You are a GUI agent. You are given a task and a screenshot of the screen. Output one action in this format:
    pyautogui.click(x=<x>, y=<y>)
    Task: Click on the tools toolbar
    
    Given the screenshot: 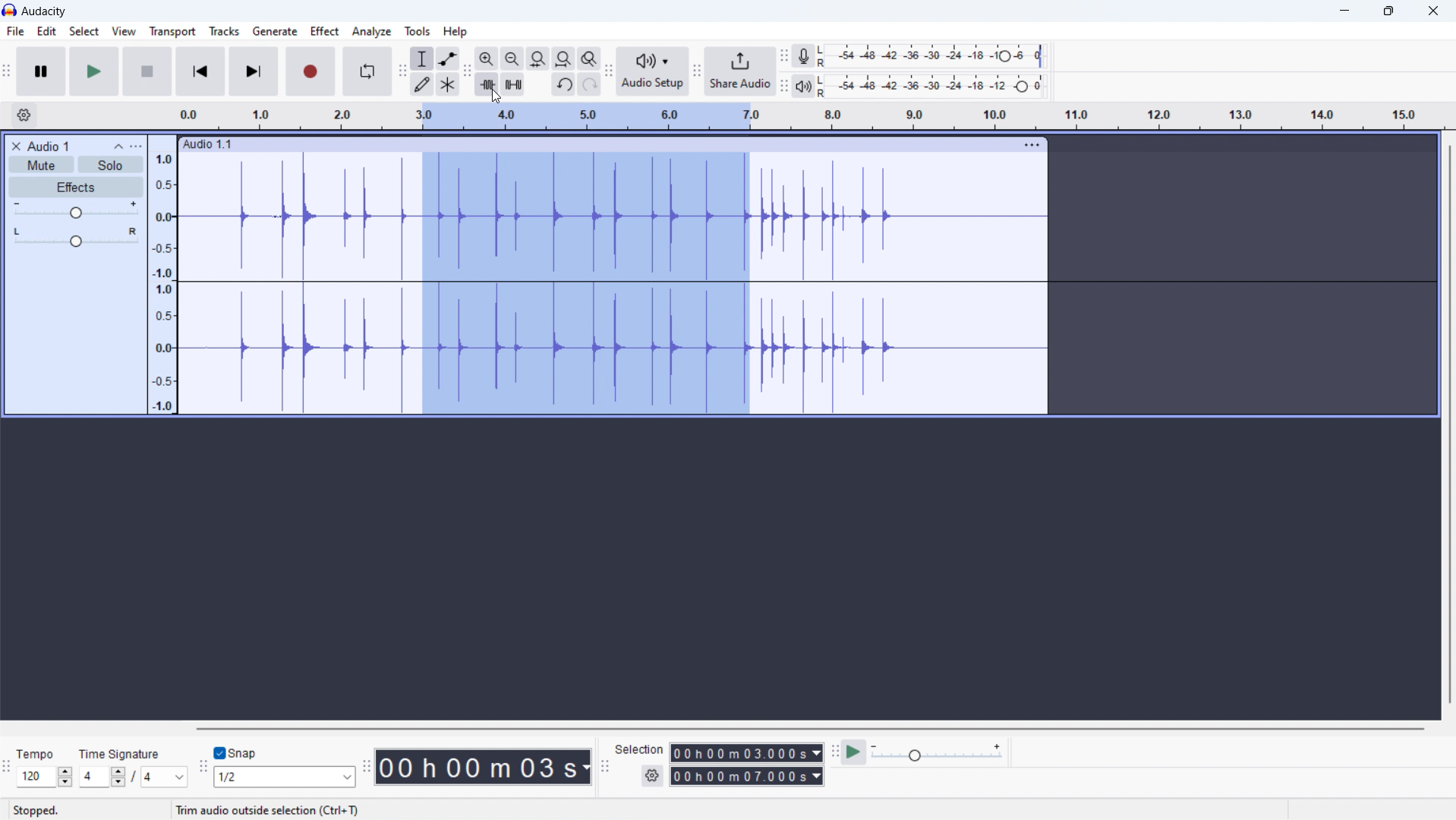 What is the action you would take?
    pyautogui.click(x=402, y=71)
    